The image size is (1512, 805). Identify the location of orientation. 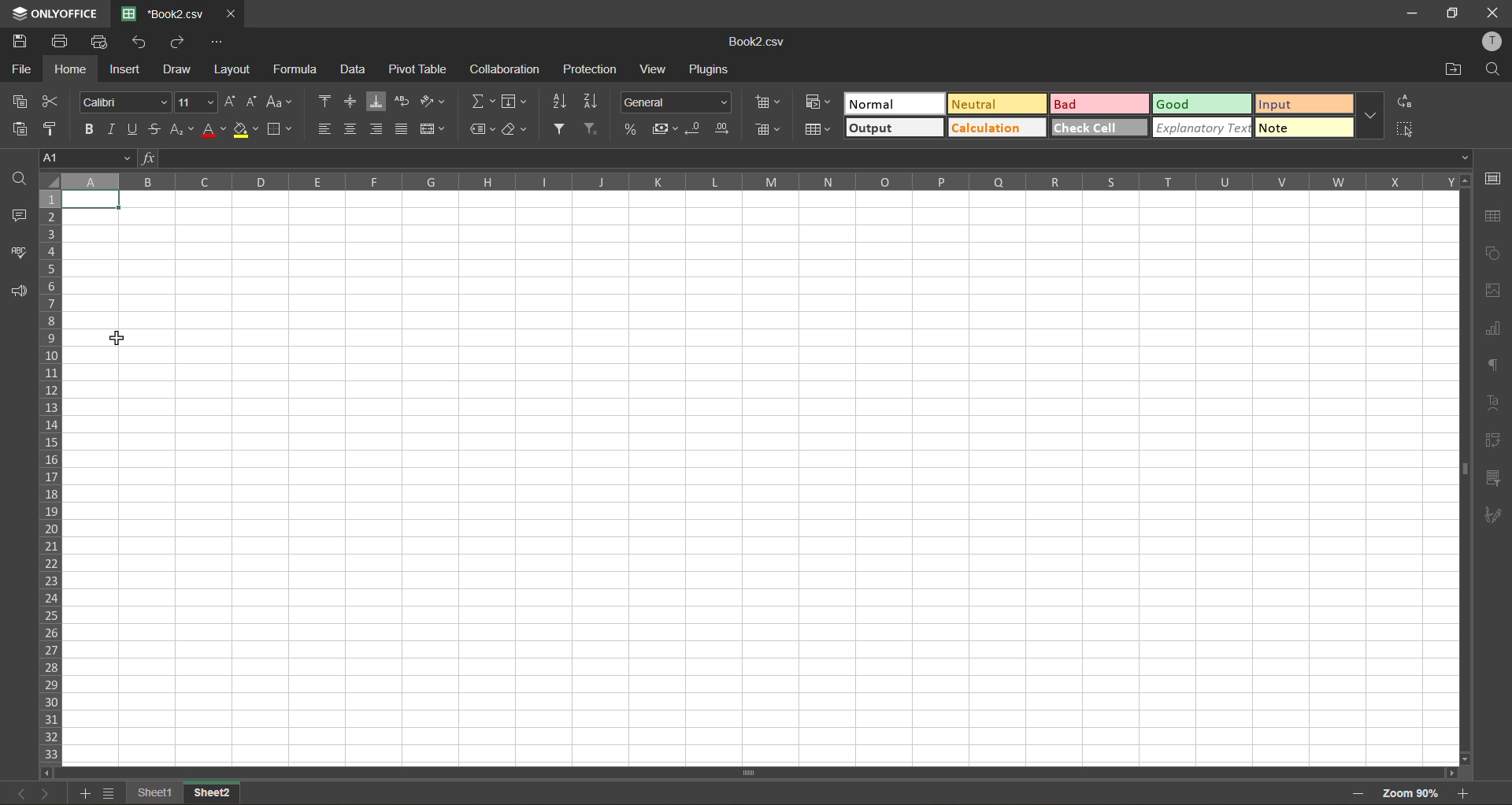
(435, 102).